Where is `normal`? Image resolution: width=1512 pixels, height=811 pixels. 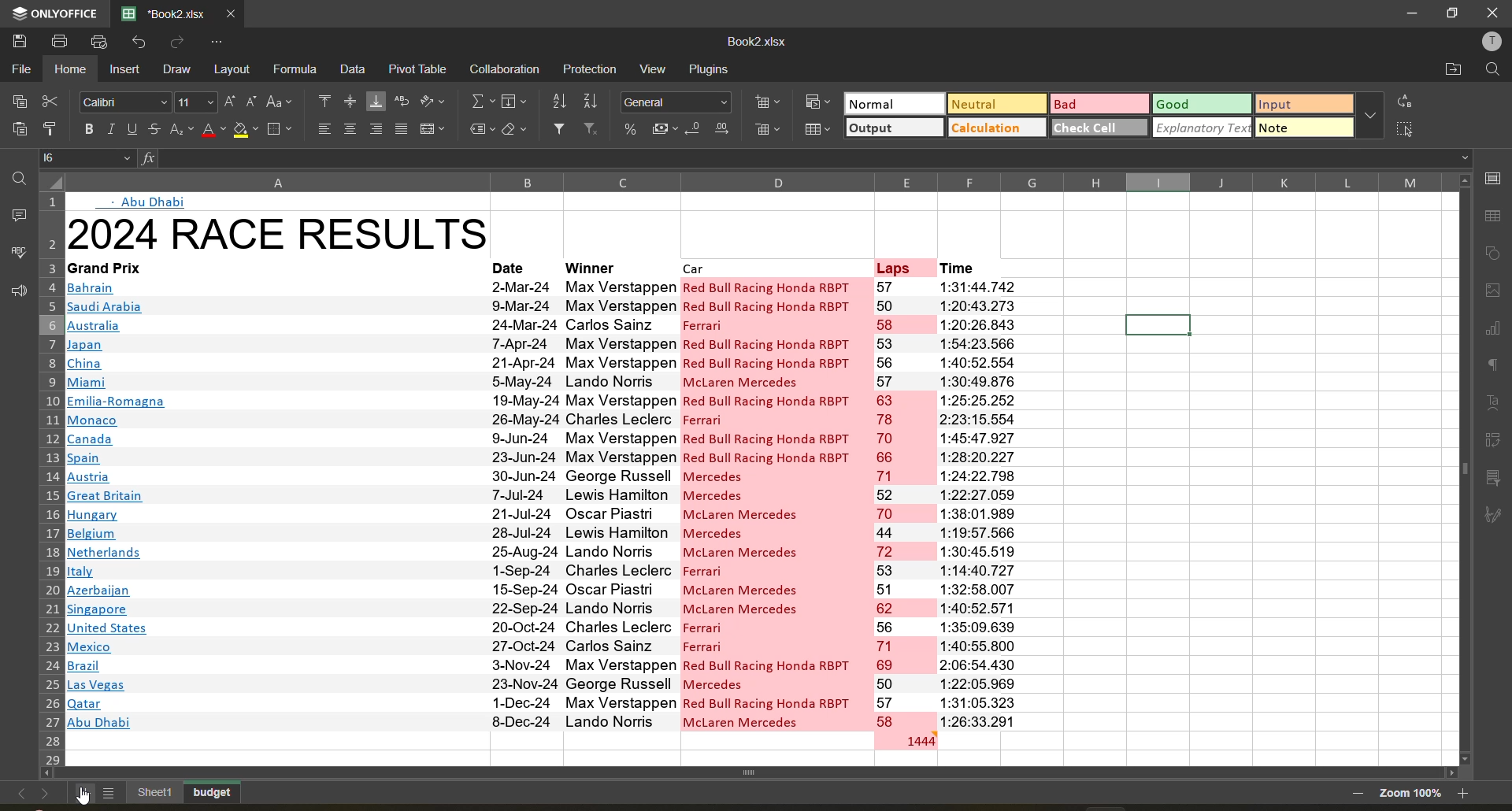 normal is located at coordinates (893, 105).